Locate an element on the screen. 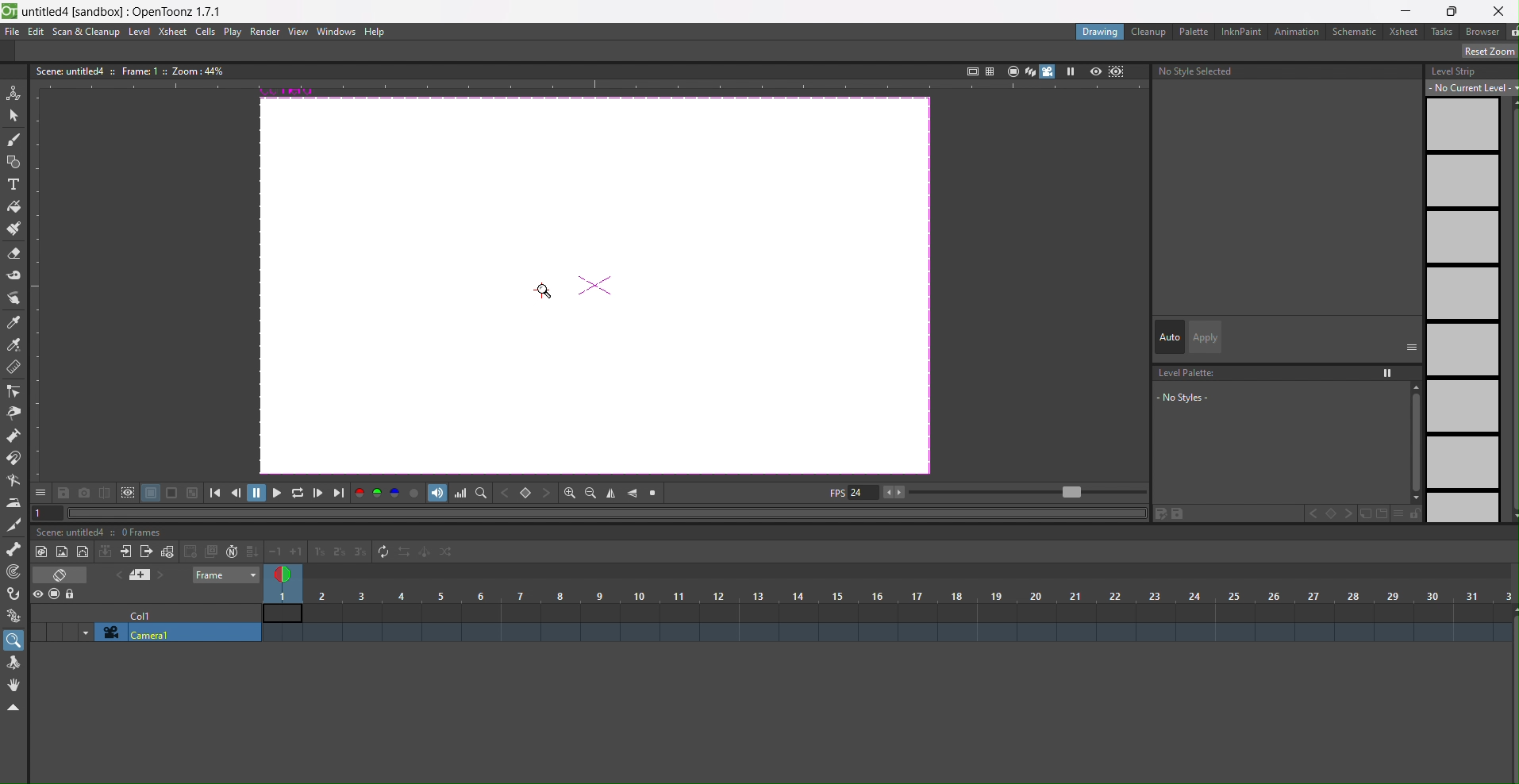 The width and height of the screenshot is (1519, 784). cleanup is located at coordinates (1150, 31).